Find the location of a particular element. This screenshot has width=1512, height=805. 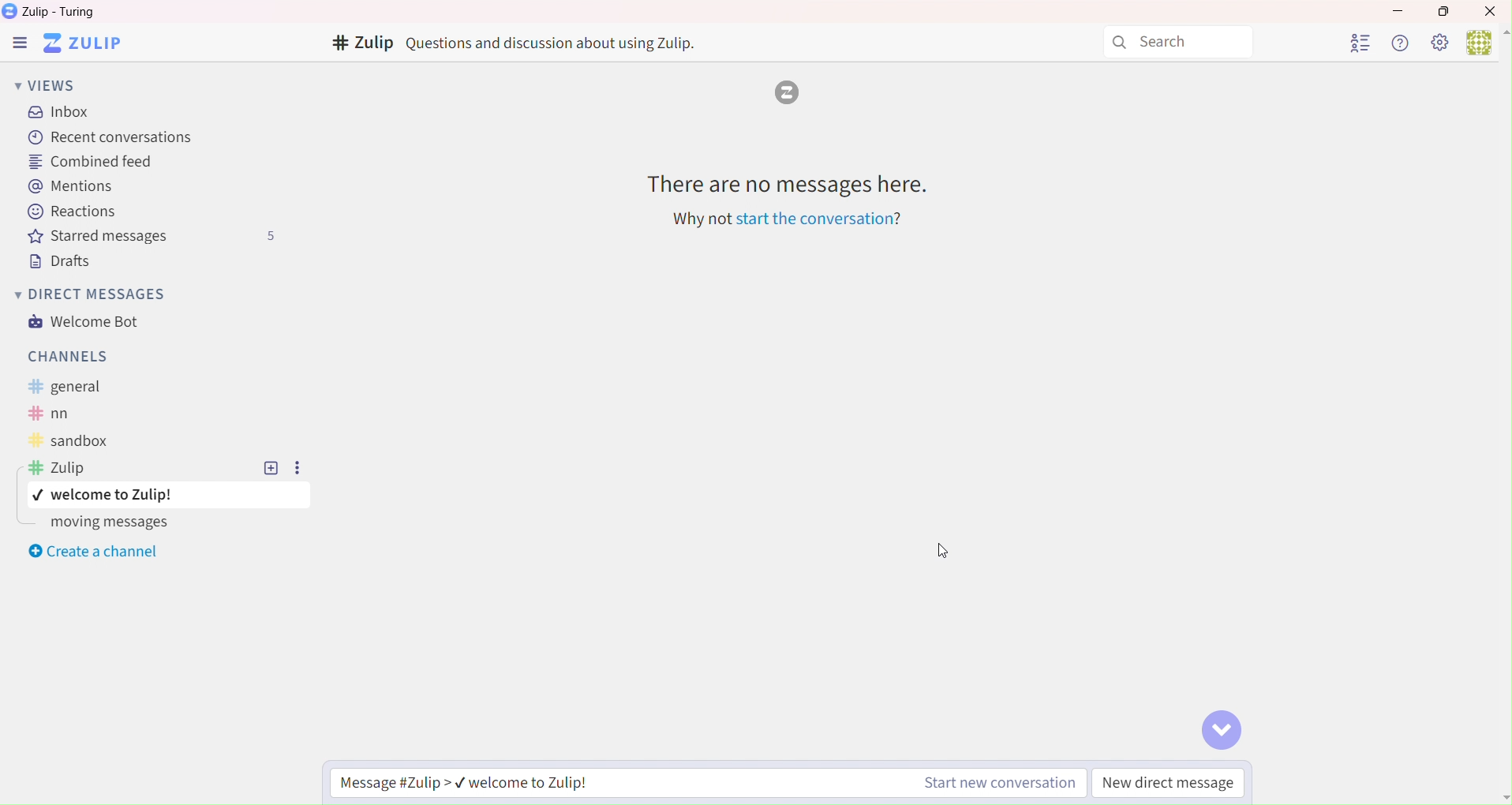

Settings is located at coordinates (295, 469).